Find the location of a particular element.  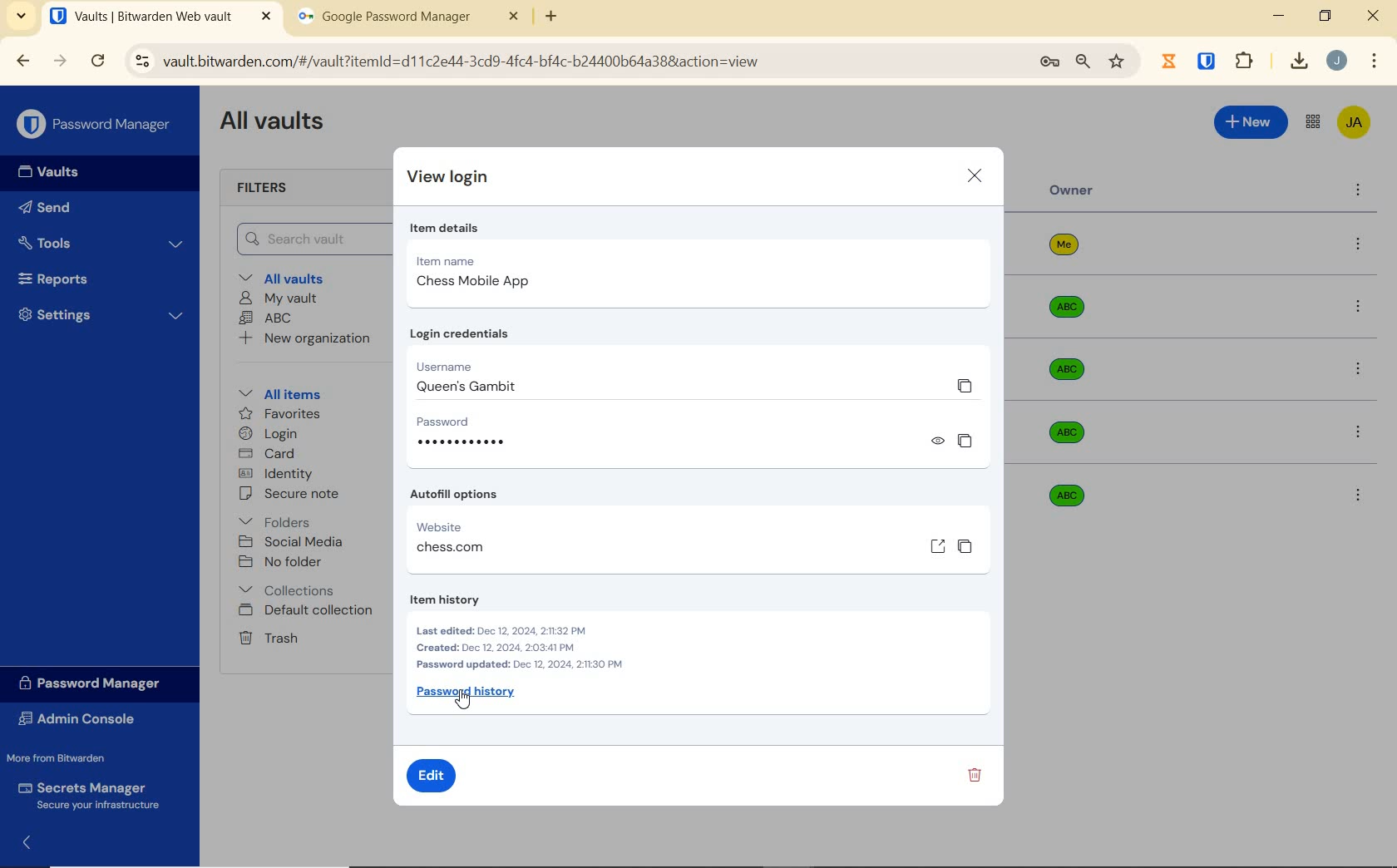

Search Vault is located at coordinates (304, 239).